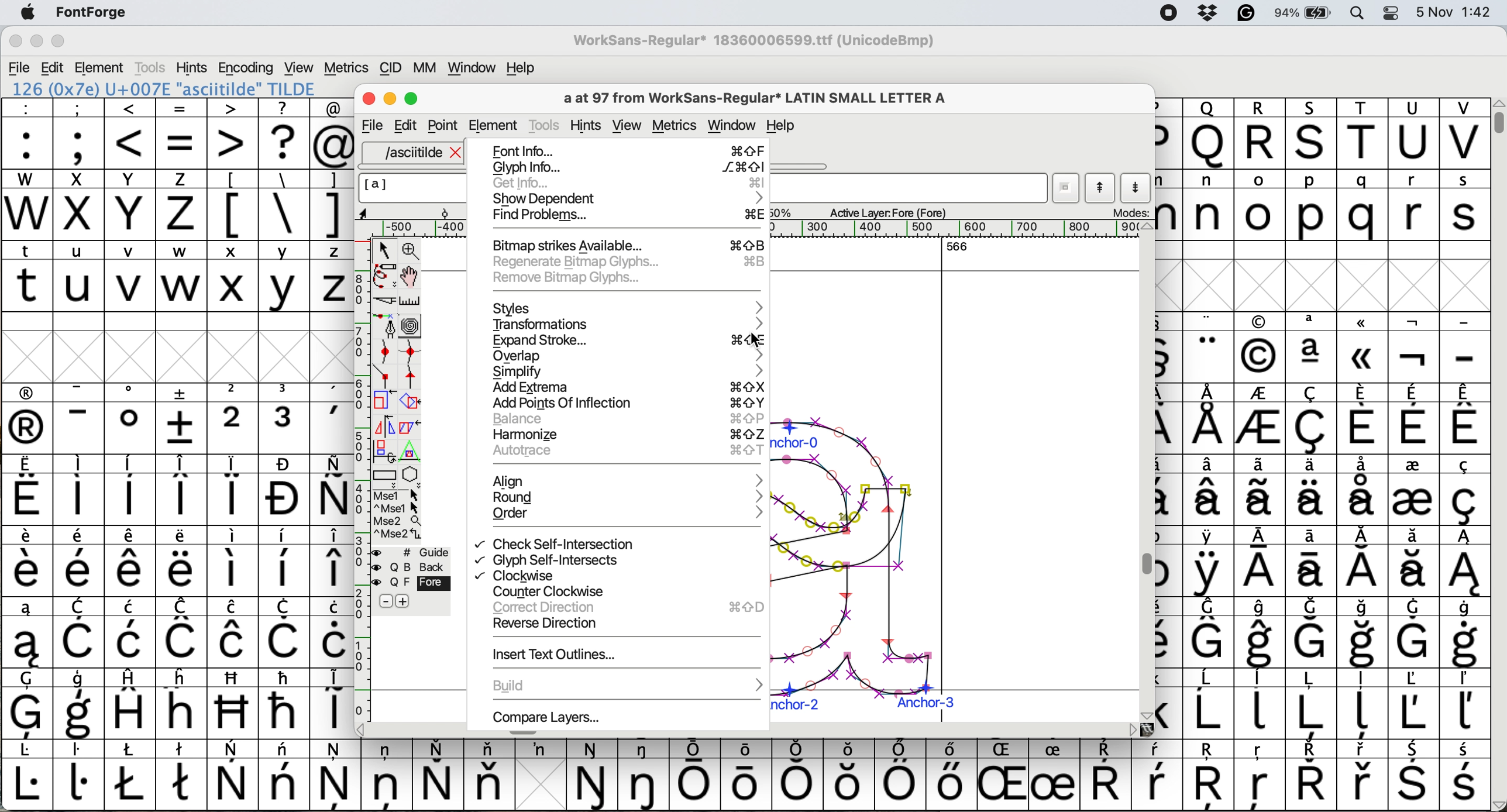 This screenshot has height=812, width=1507. I want to click on , so click(183, 703).